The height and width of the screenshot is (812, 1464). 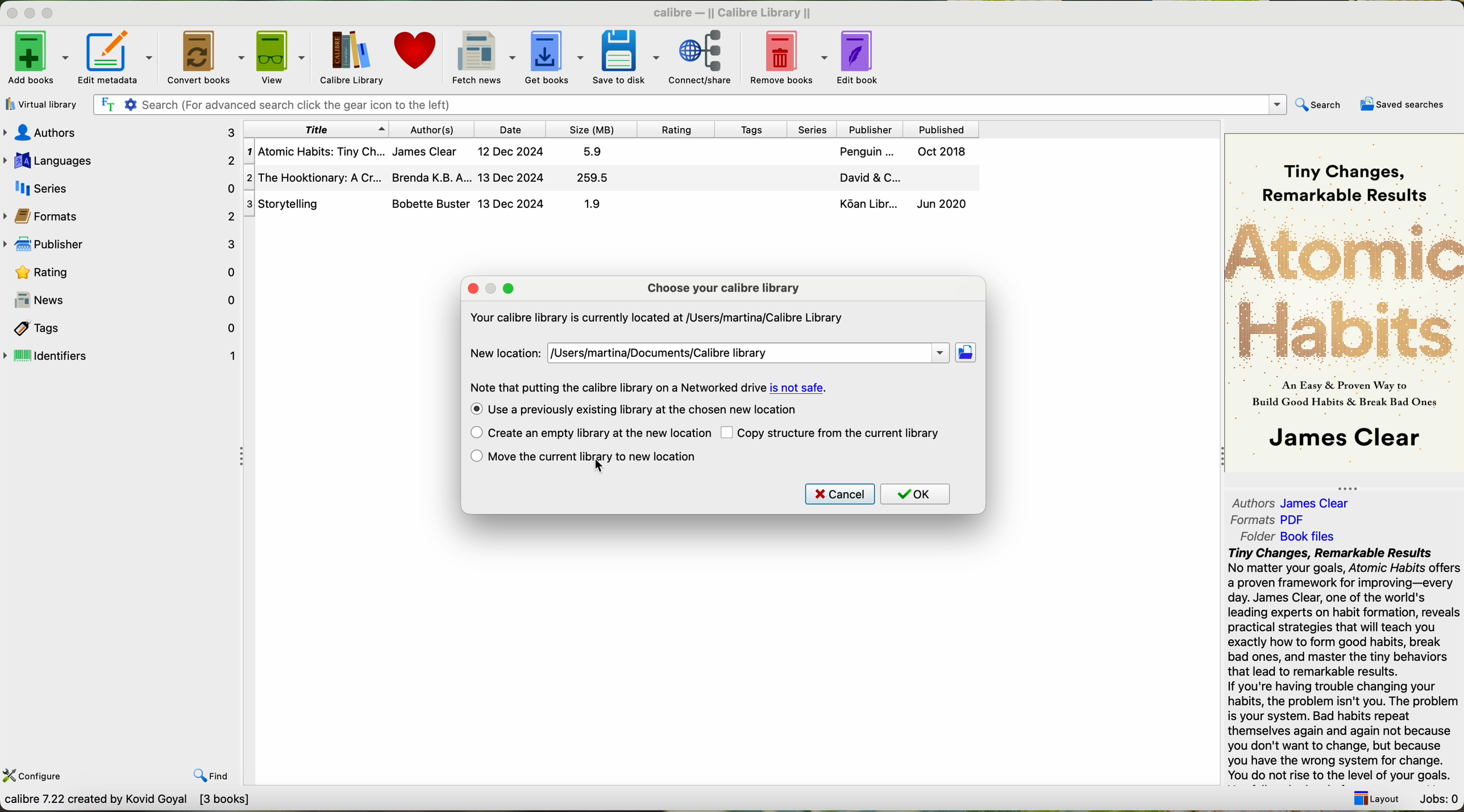 I want to click on Ko6an Libr... Jun 2020, so click(x=900, y=206).